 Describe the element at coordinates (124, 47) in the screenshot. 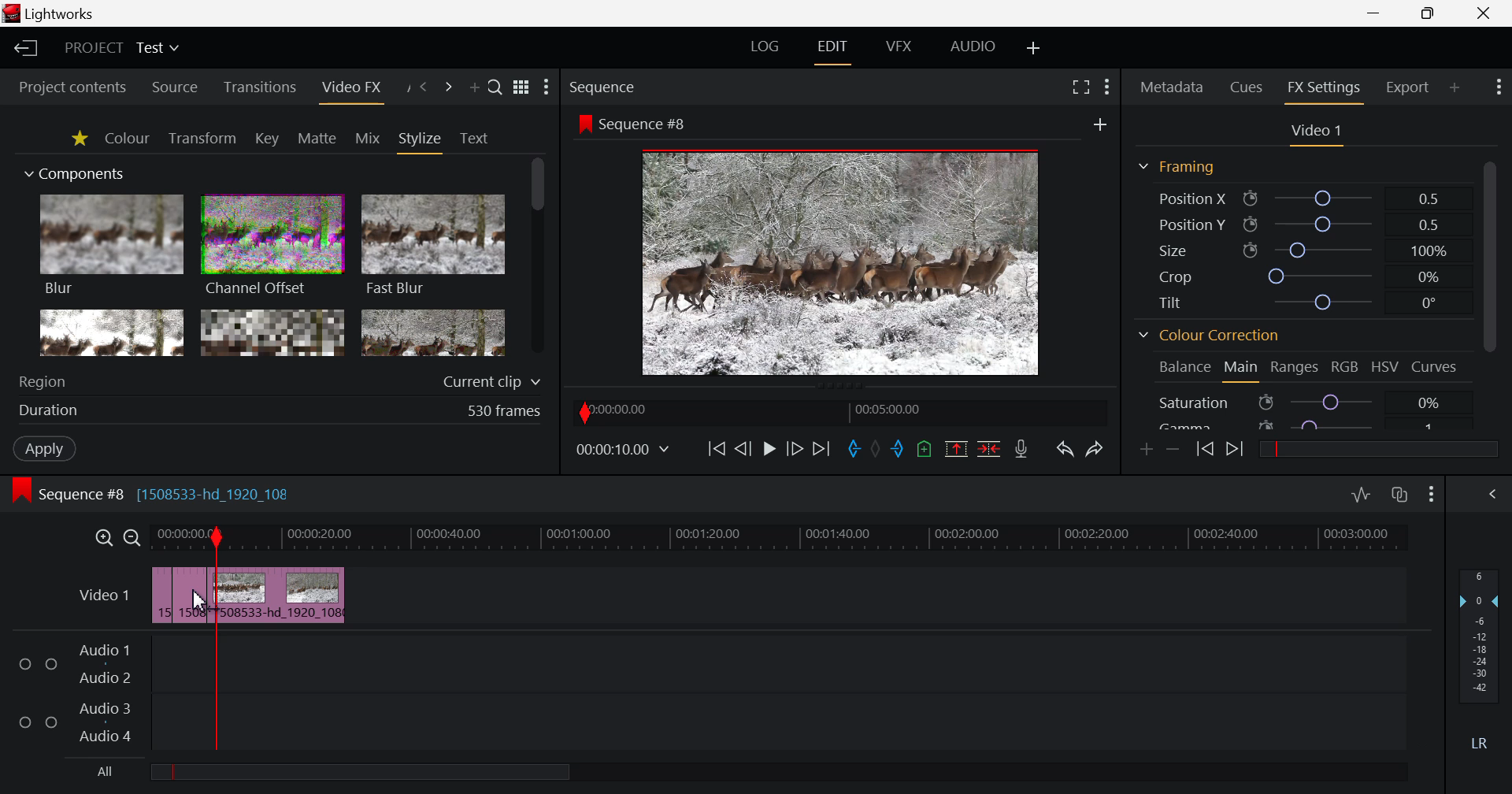

I see `Project Title` at that location.